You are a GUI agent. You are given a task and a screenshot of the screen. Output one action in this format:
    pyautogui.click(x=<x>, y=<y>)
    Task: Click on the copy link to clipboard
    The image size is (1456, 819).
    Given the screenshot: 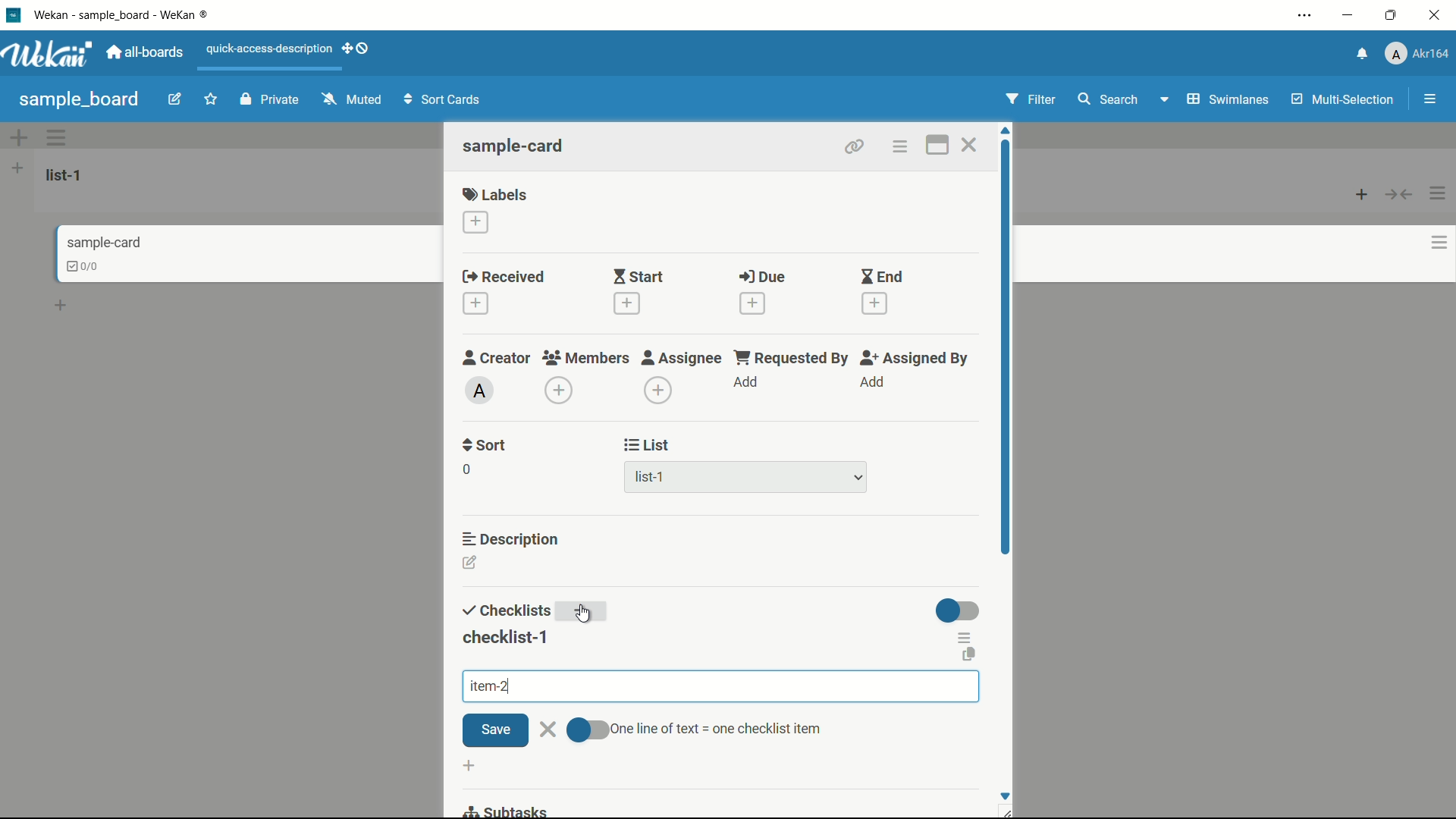 What is the action you would take?
    pyautogui.click(x=852, y=146)
    